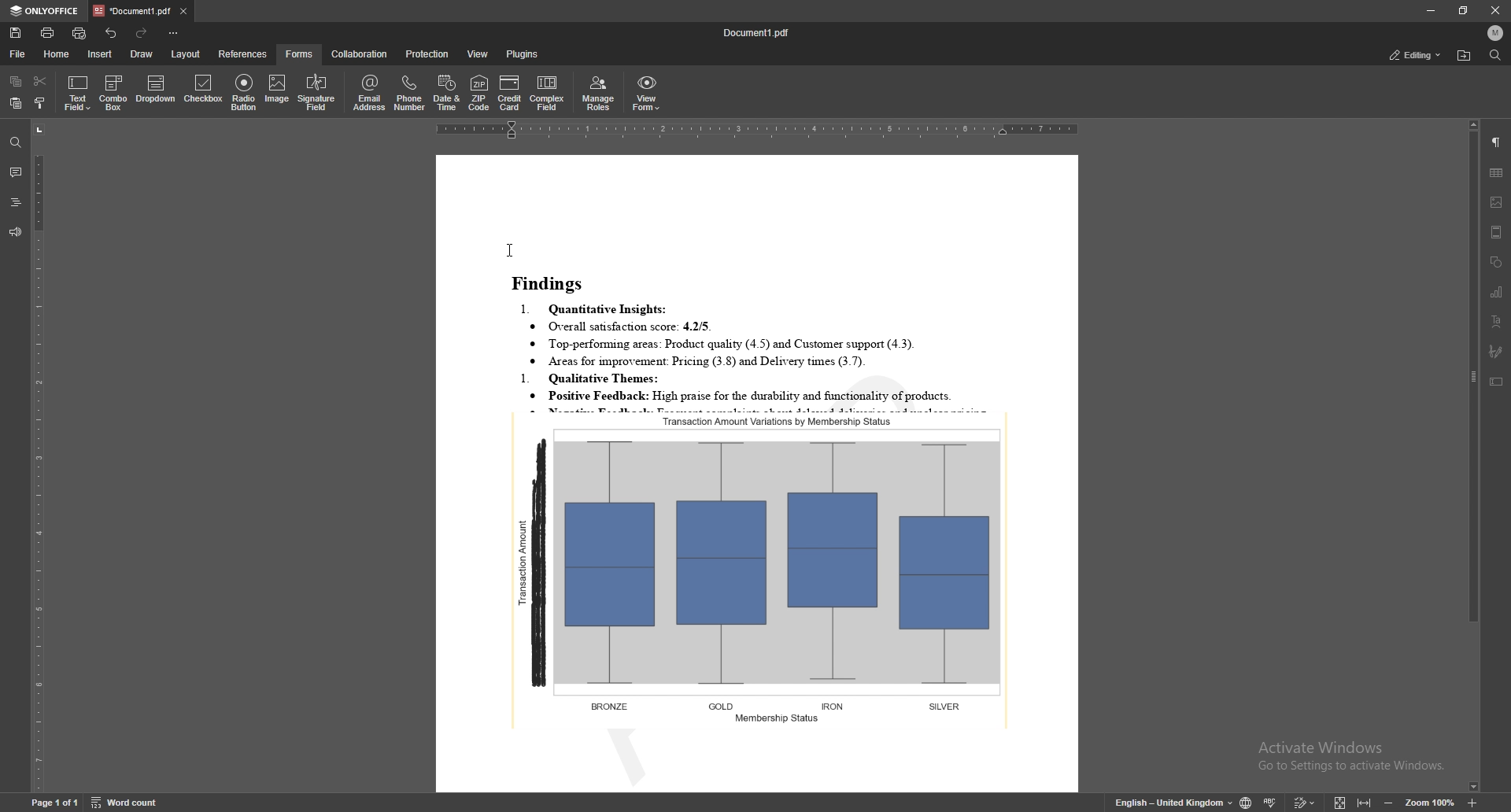 The height and width of the screenshot is (812, 1511). What do you see at coordinates (1170, 803) in the screenshot?
I see `English- United kingdom` at bounding box center [1170, 803].